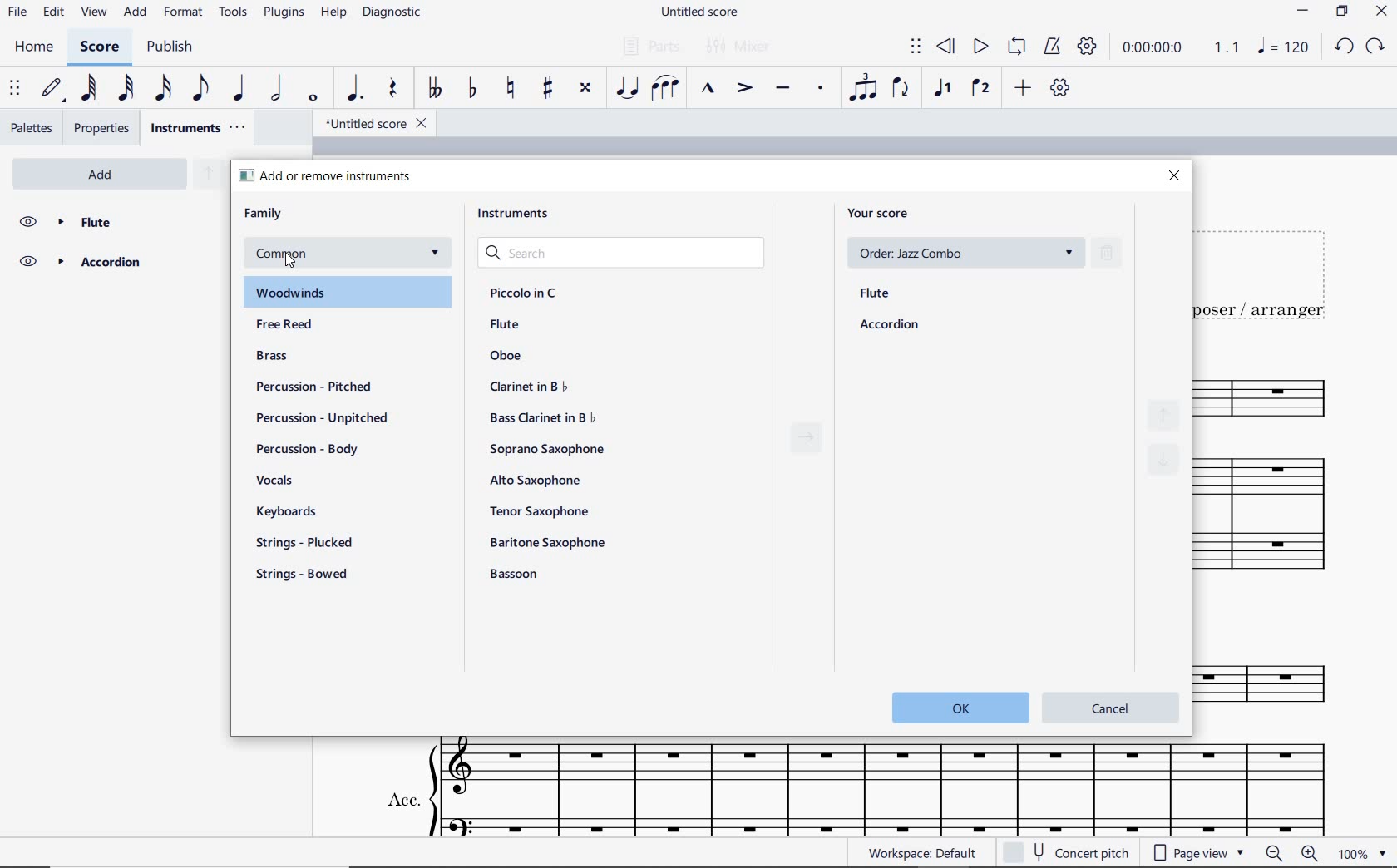 The width and height of the screenshot is (1397, 868). I want to click on concert pitch, so click(1083, 854).